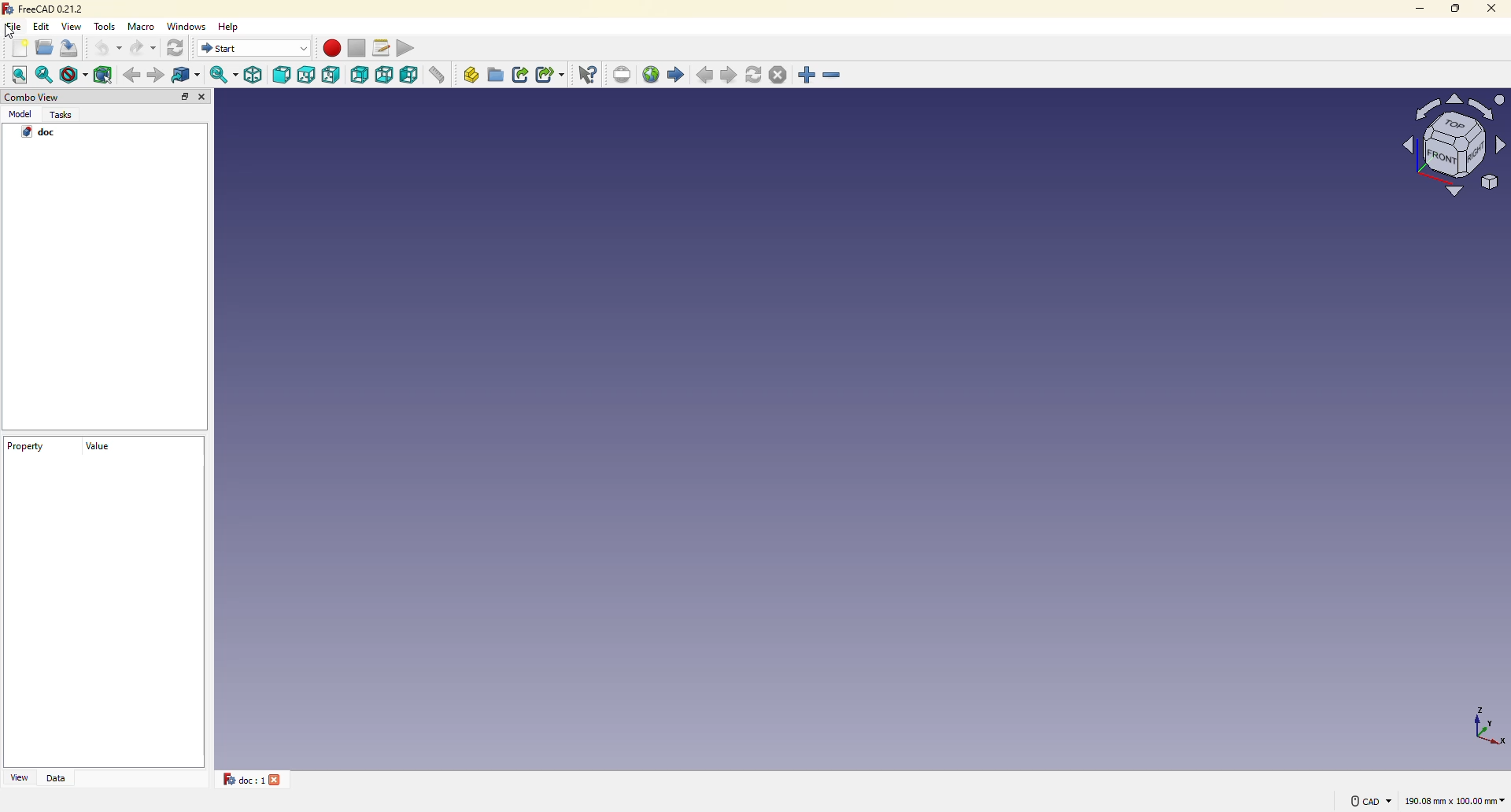 This screenshot has width=1511, height=812. What do you see at coordinates (130, 75) in the screenshot?
I see `back` at bounding box center [130, 75].